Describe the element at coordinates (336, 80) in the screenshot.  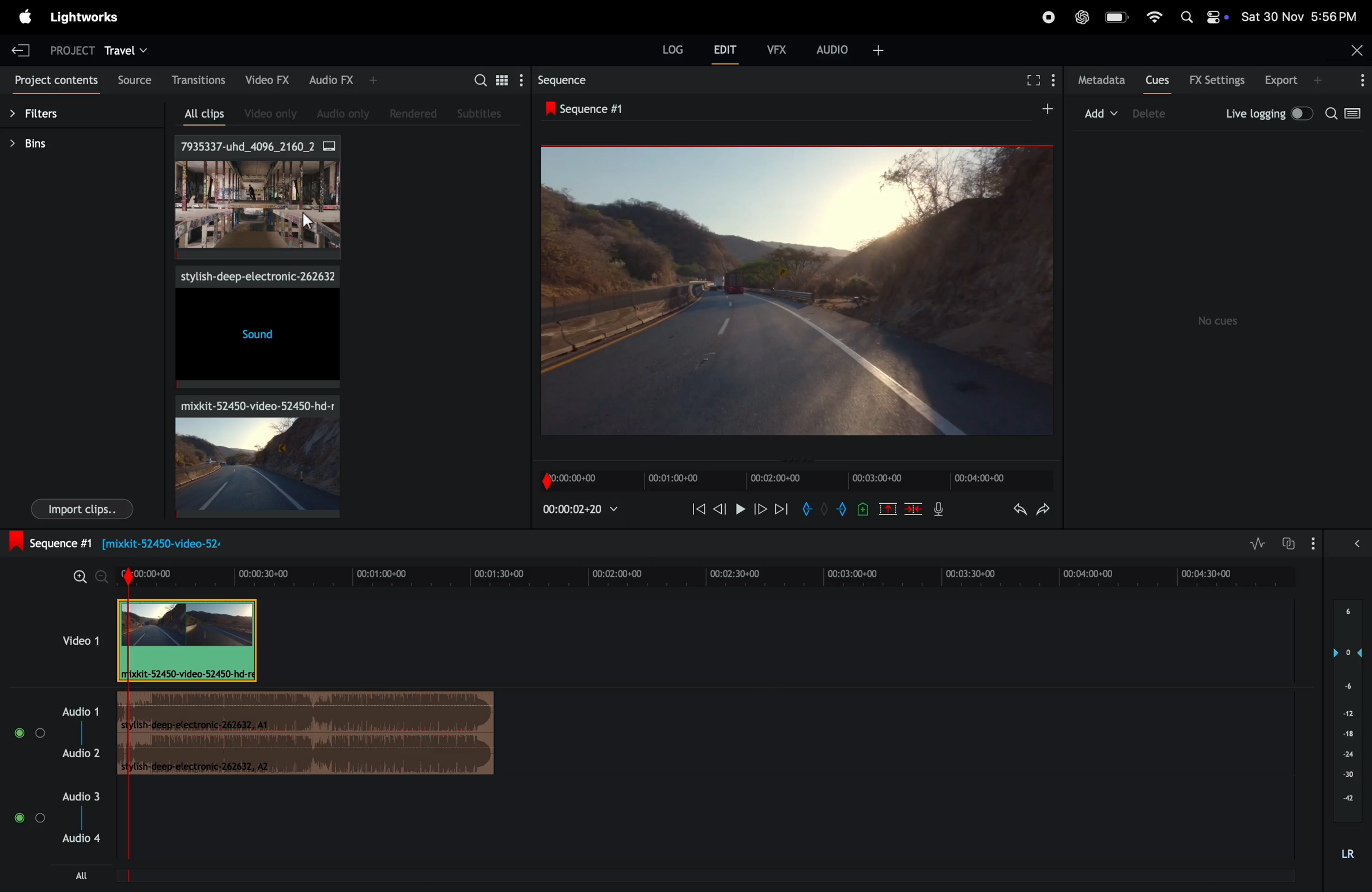
I see `audio fx` at that location.